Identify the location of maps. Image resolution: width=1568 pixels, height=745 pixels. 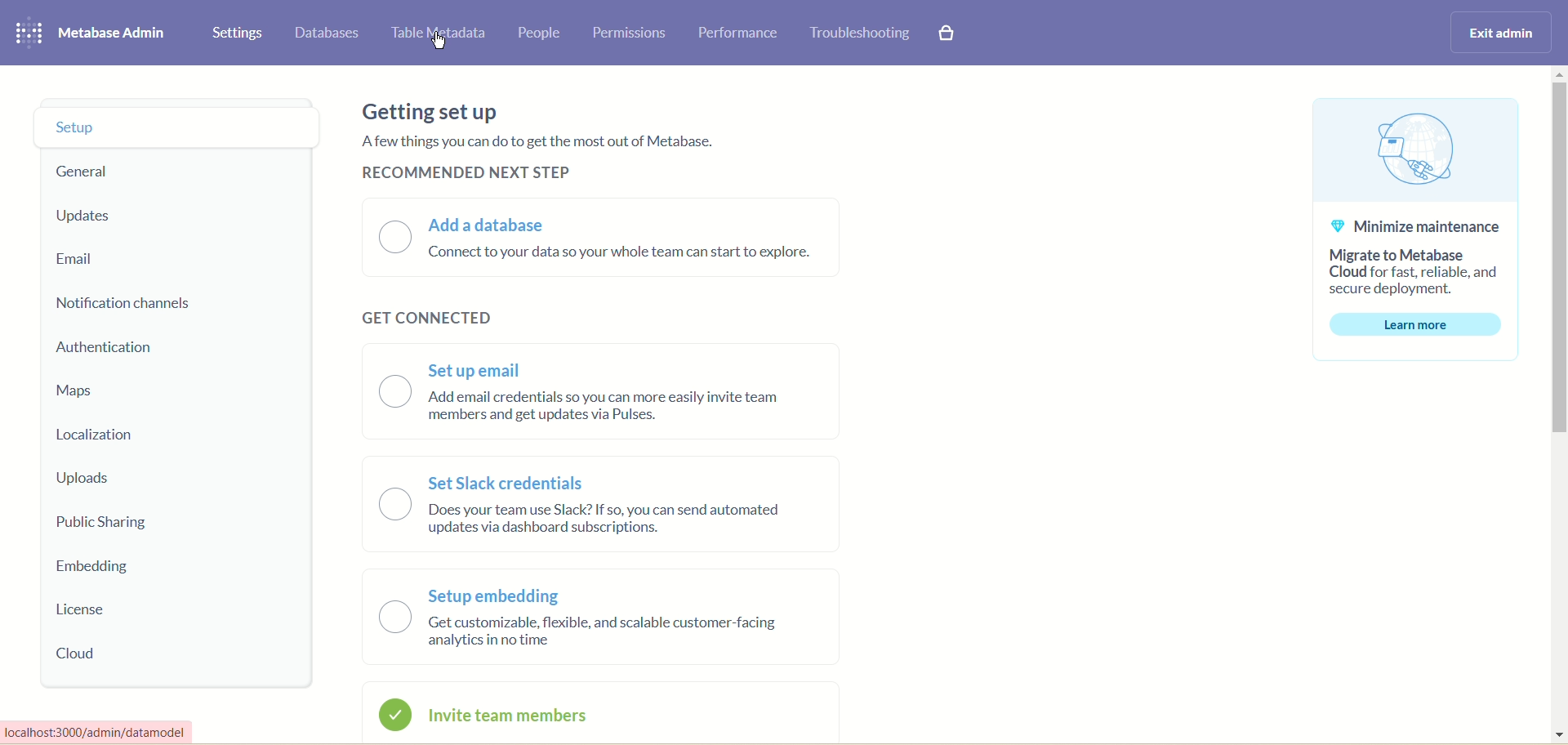
(75, 391).